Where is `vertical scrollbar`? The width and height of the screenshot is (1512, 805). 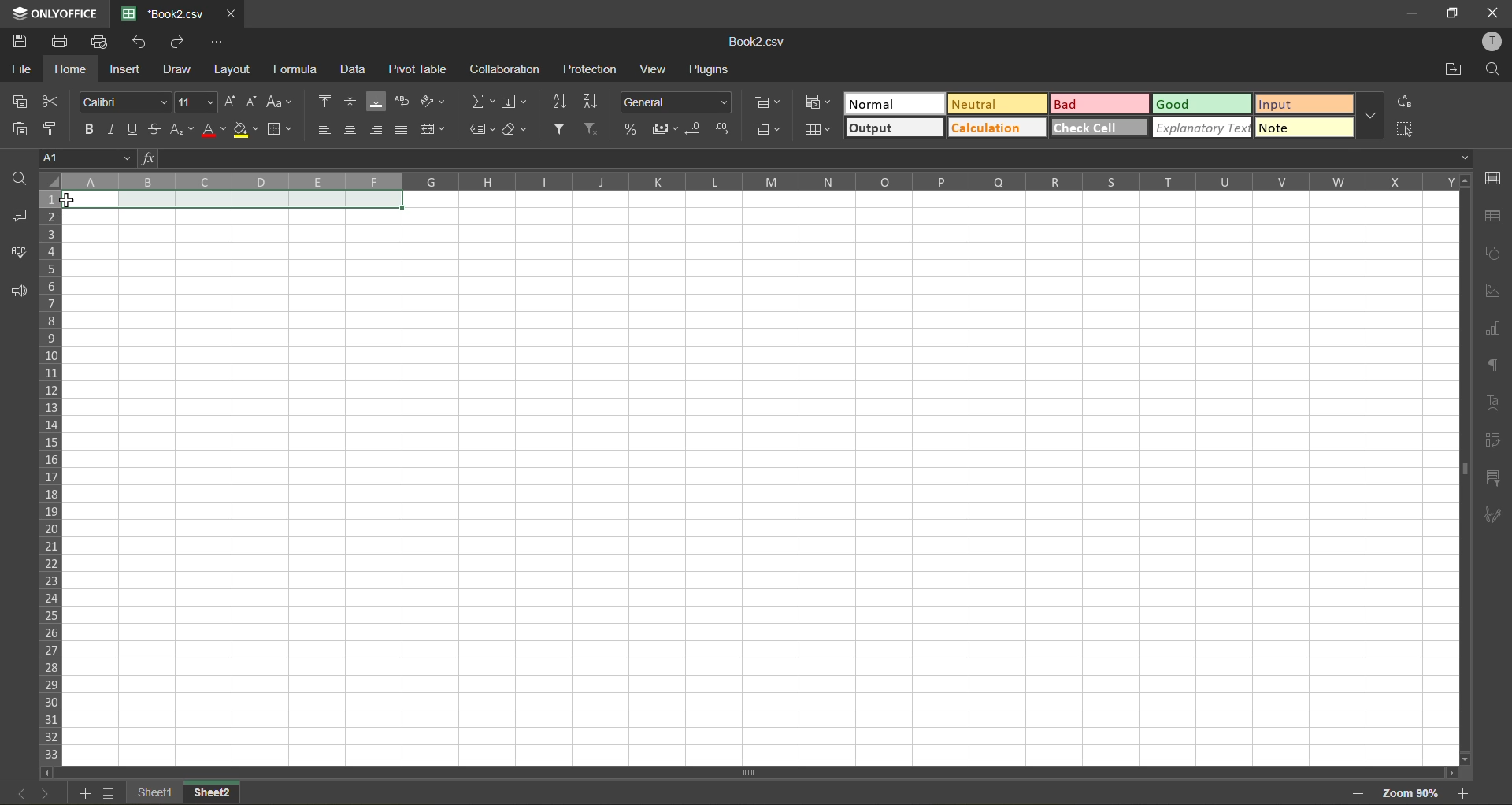
vertical scrollbar is located at coordinates (1461, 466).